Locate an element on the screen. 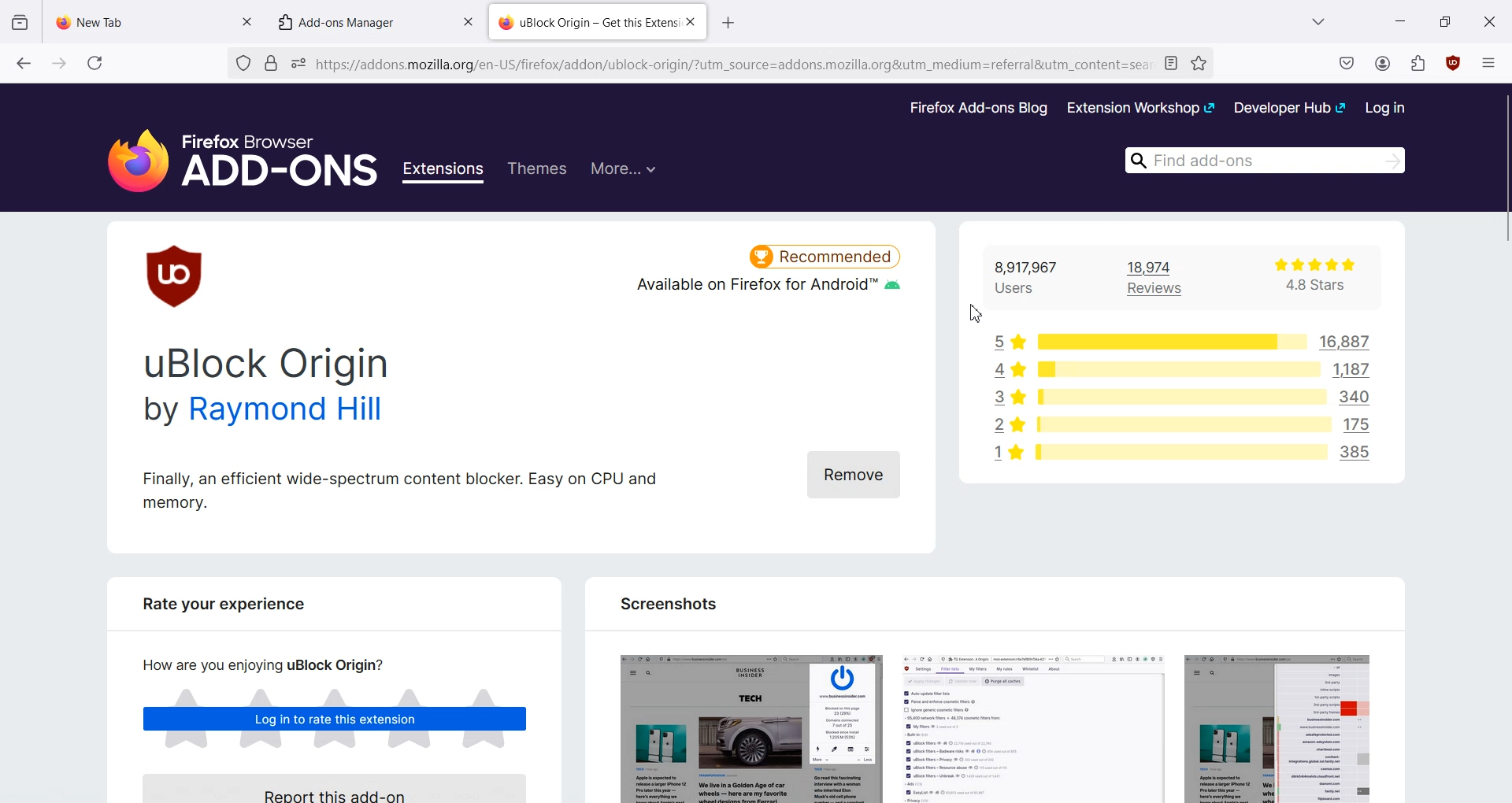  Close is located at coordinates (1489, 20).